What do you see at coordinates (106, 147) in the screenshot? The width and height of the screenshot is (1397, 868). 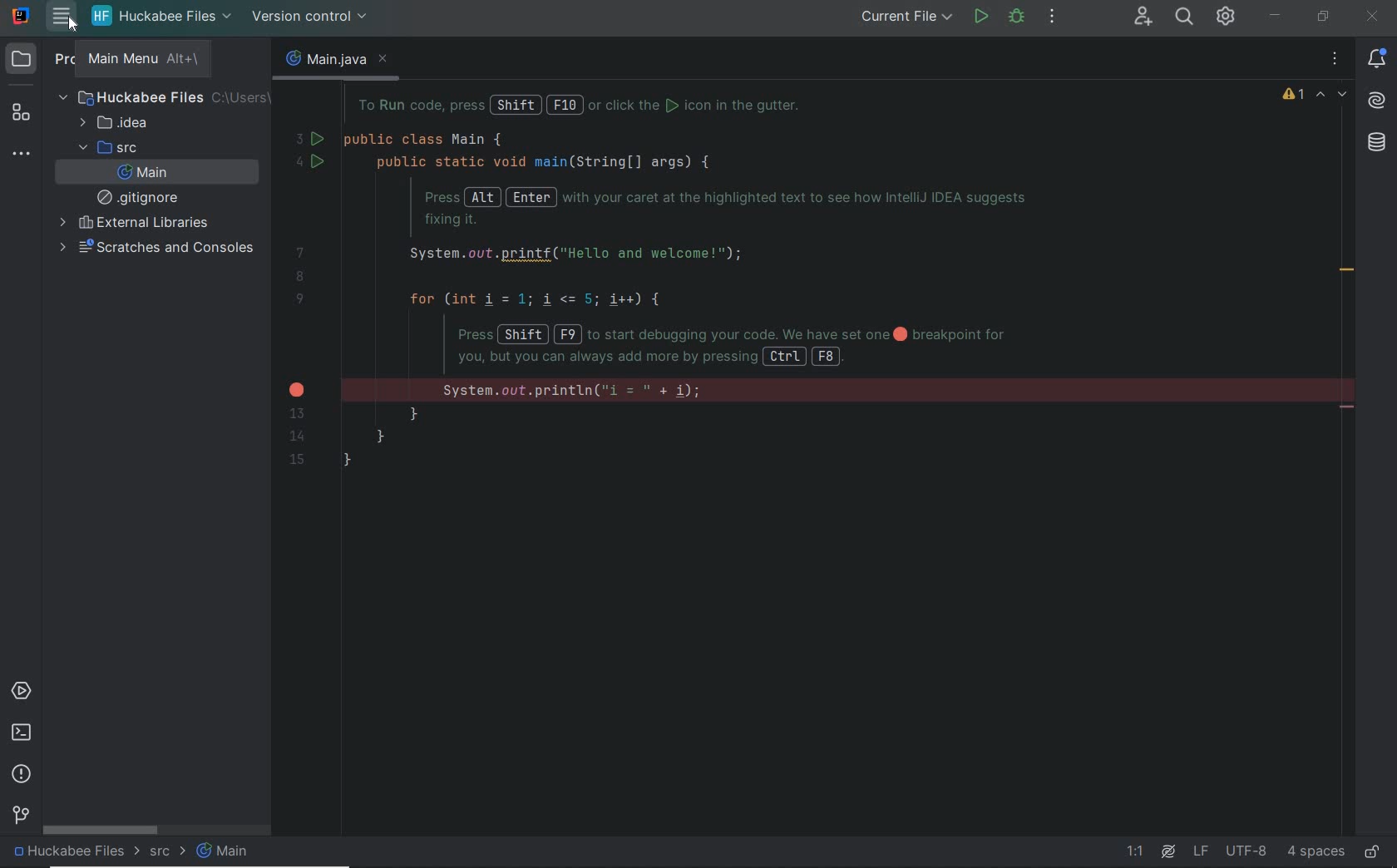 I see `src` at bounding box center [106, 147].